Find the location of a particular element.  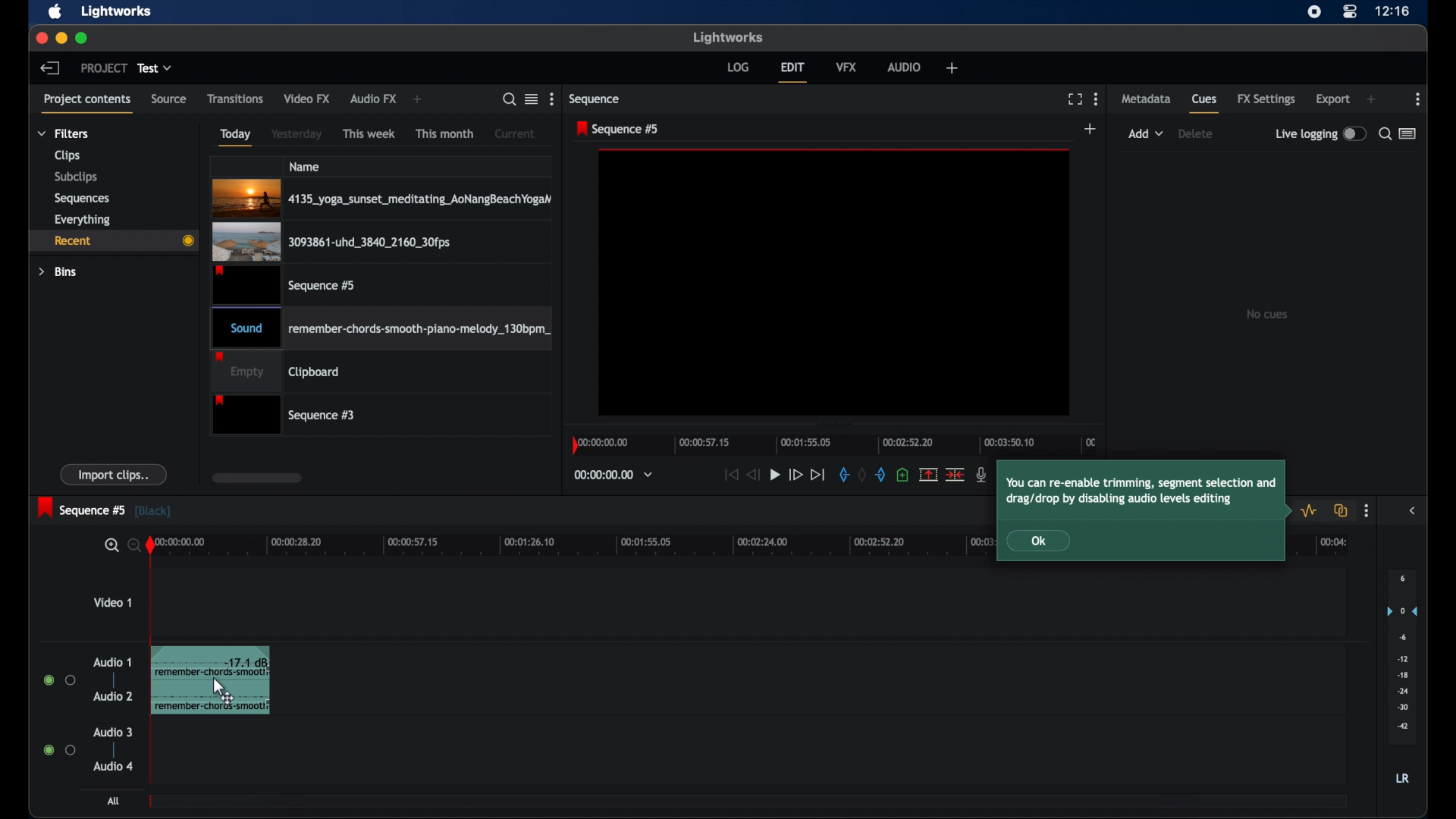

project contents is located at coordinates (89, 104).